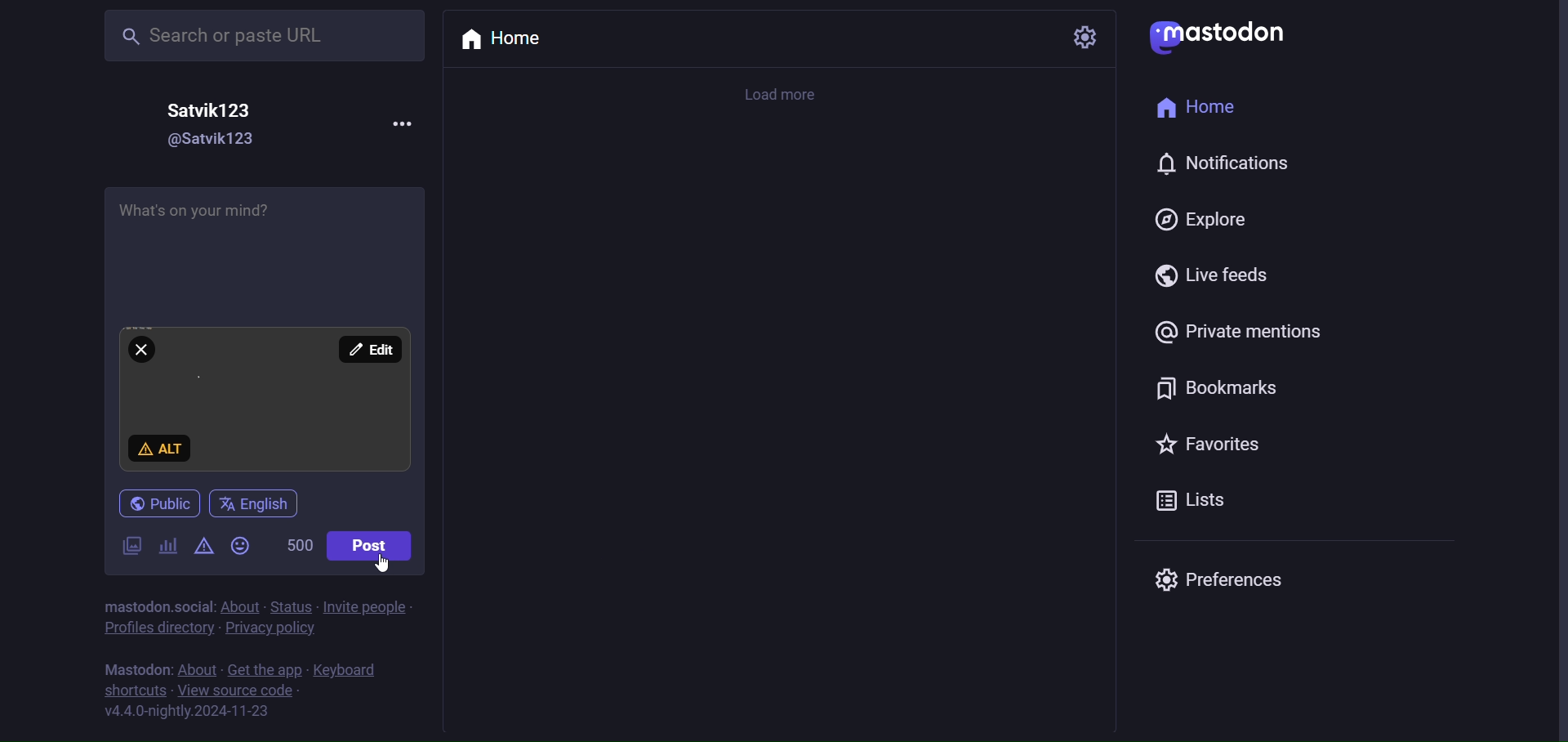 The image size is (1568, 742). What do you see at coordinates (263, 35) in the screenshot?
I see `Search or paste URL` at bounding box center [263, 35].